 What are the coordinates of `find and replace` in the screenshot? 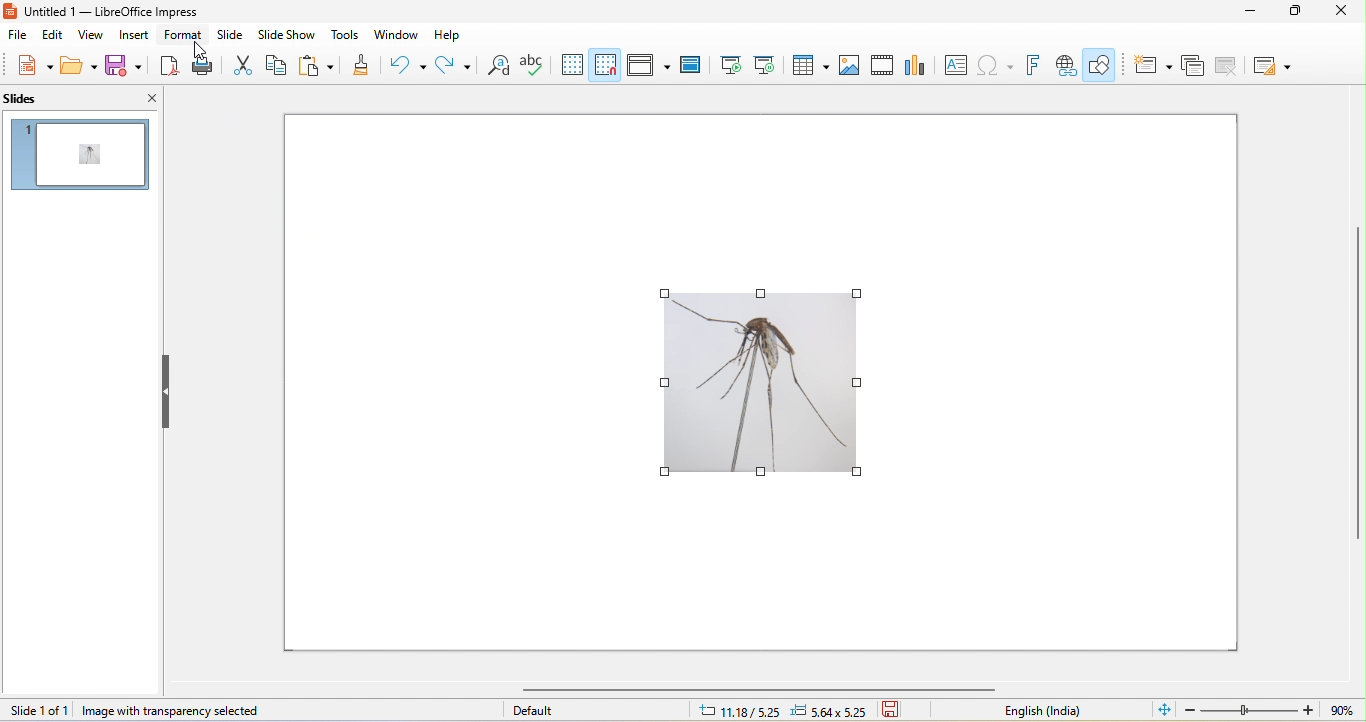 It's located at (498, 64).